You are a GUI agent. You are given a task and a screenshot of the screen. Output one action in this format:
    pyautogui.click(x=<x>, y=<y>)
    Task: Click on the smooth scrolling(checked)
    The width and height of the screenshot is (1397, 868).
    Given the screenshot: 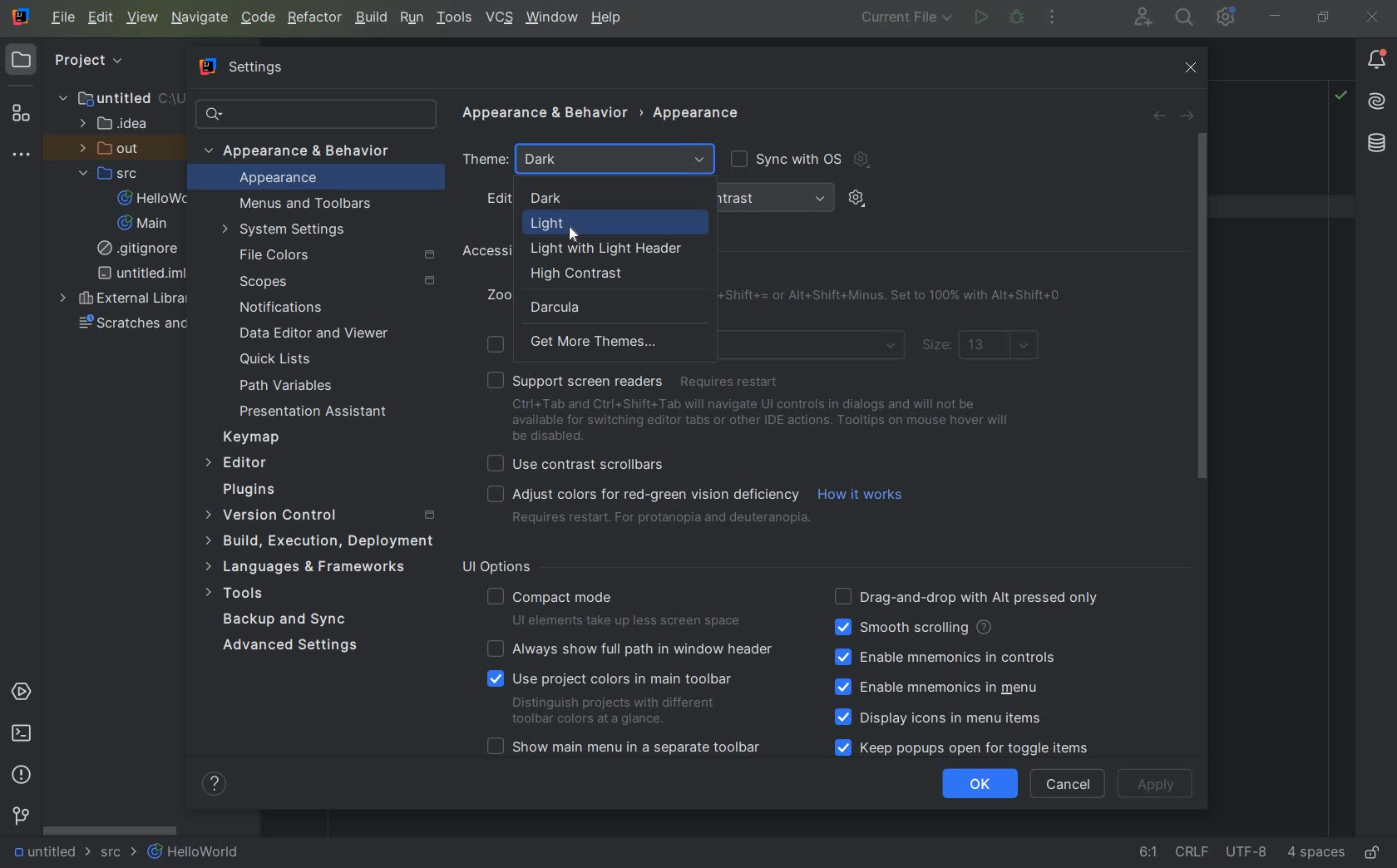 What is the action you would take?
    pyautogui.click(x=911, y=628)
    